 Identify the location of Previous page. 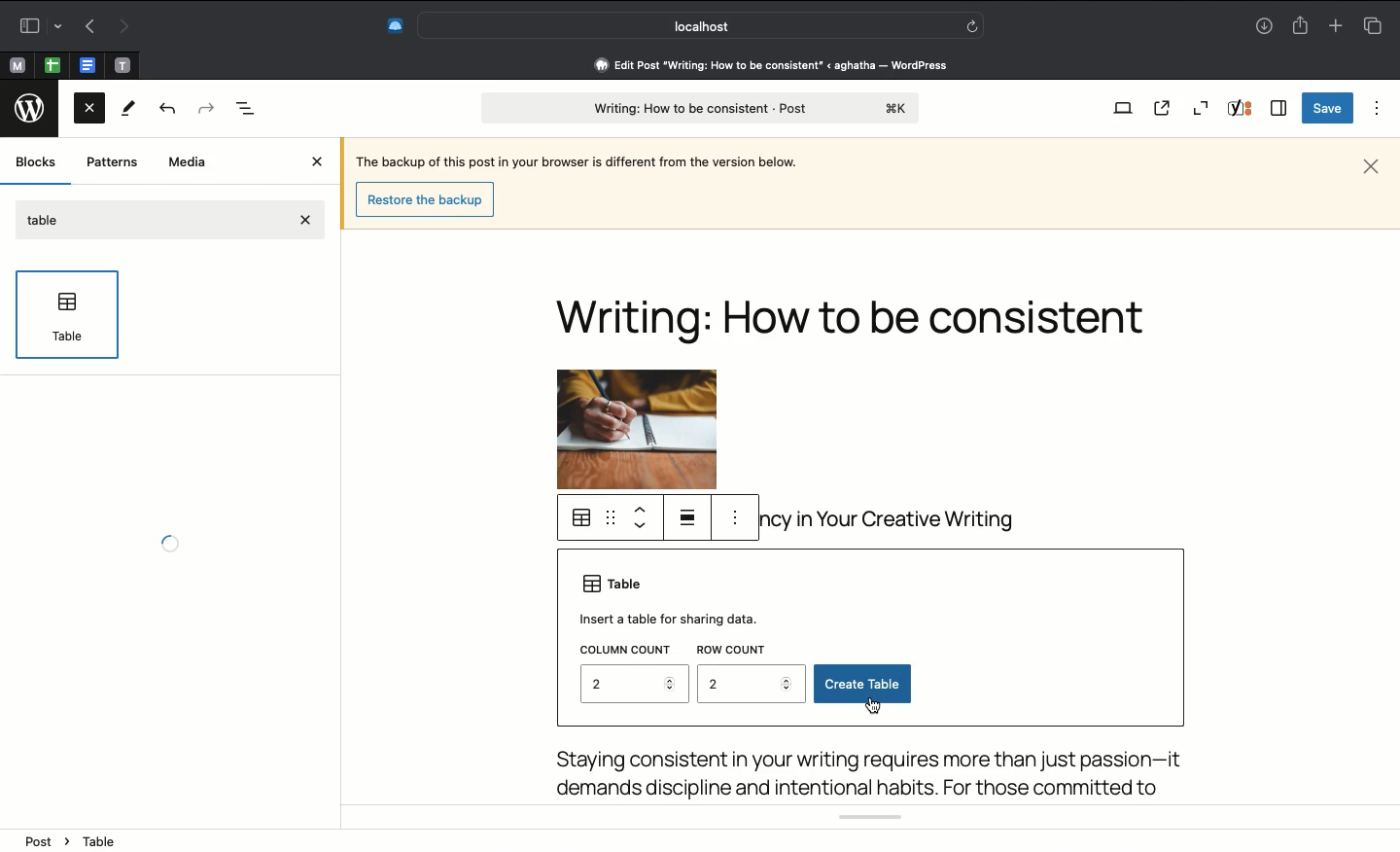
(87, 28).